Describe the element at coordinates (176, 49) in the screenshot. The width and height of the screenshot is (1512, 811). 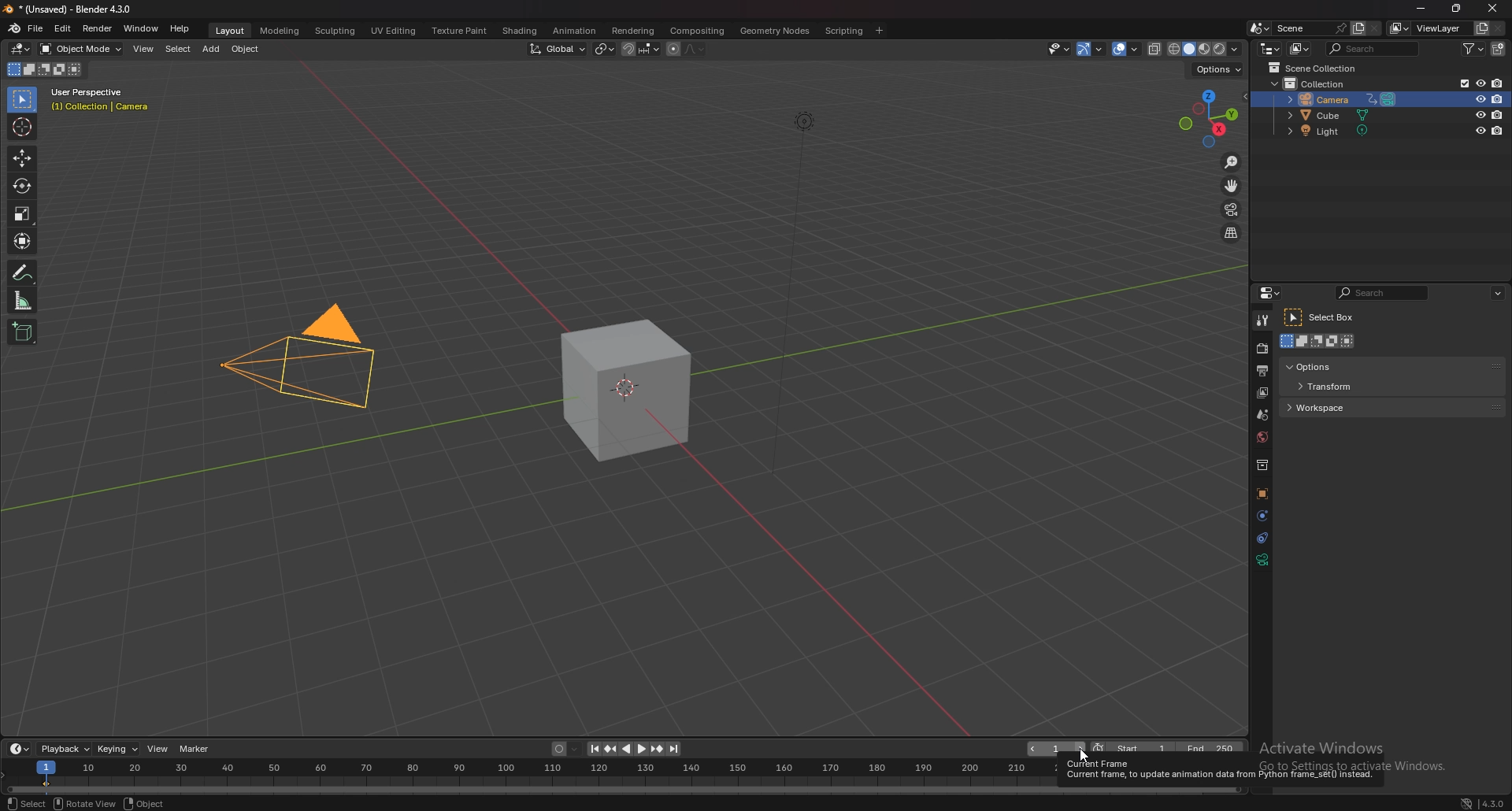
I see `select` at that location.